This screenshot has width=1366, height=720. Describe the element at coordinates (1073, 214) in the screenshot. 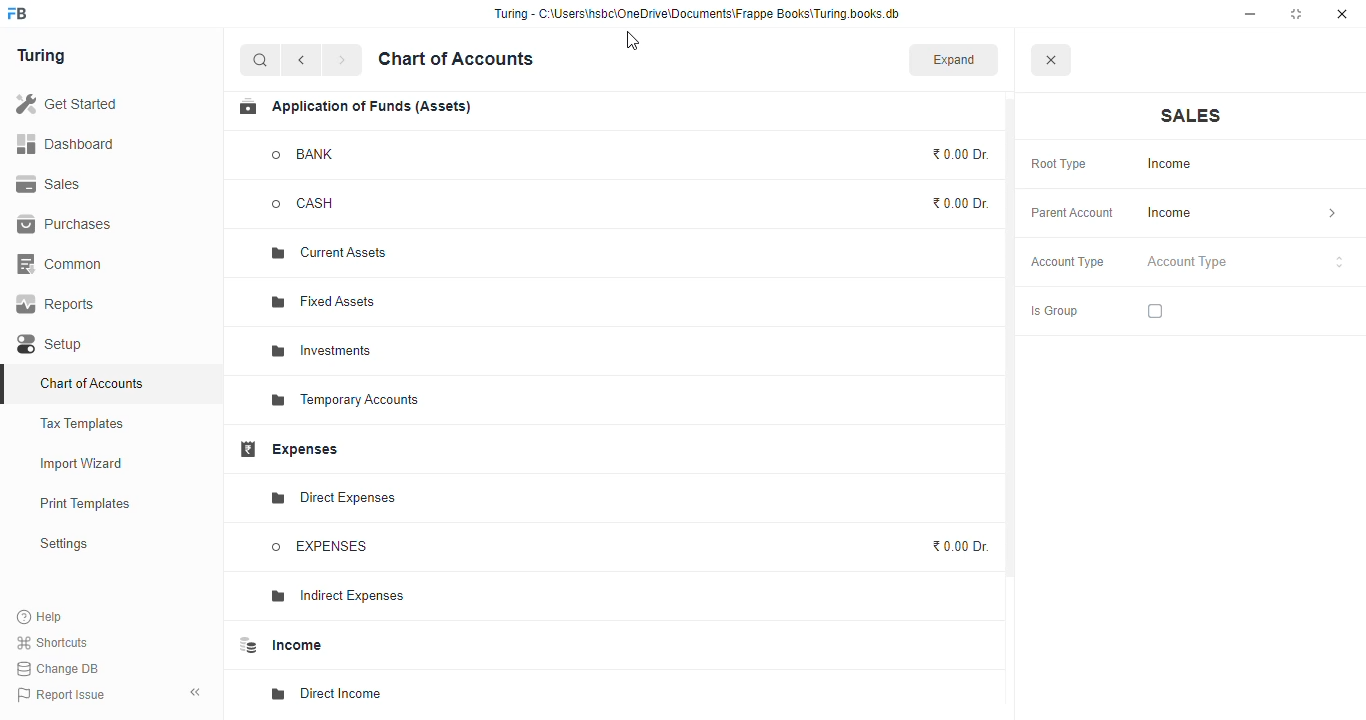

I see `parent account` at that location.